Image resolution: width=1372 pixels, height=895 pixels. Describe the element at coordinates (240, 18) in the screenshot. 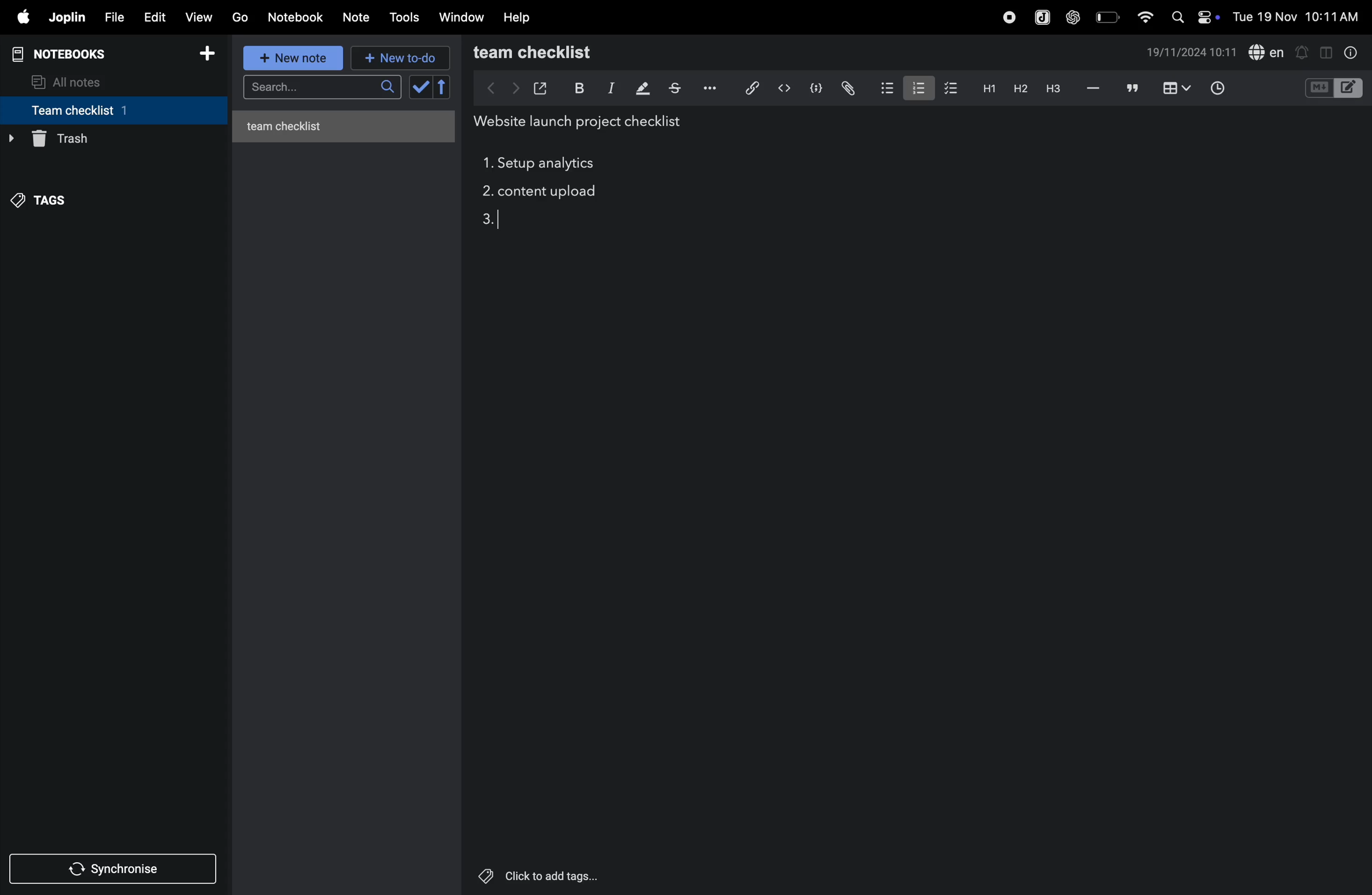

I see `go` at that location.